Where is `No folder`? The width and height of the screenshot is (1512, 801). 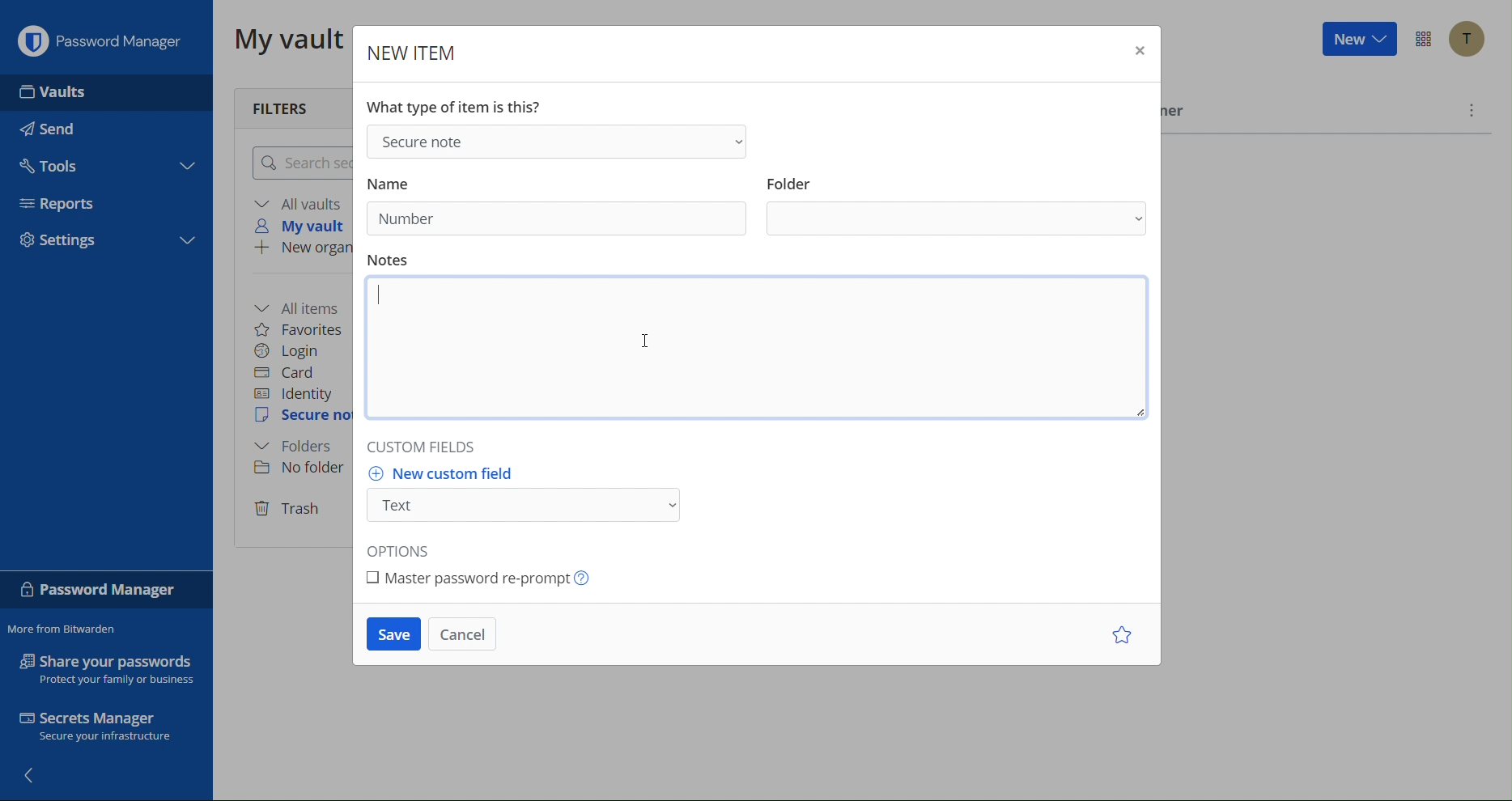 No folder is located at coordinates (298, 469).